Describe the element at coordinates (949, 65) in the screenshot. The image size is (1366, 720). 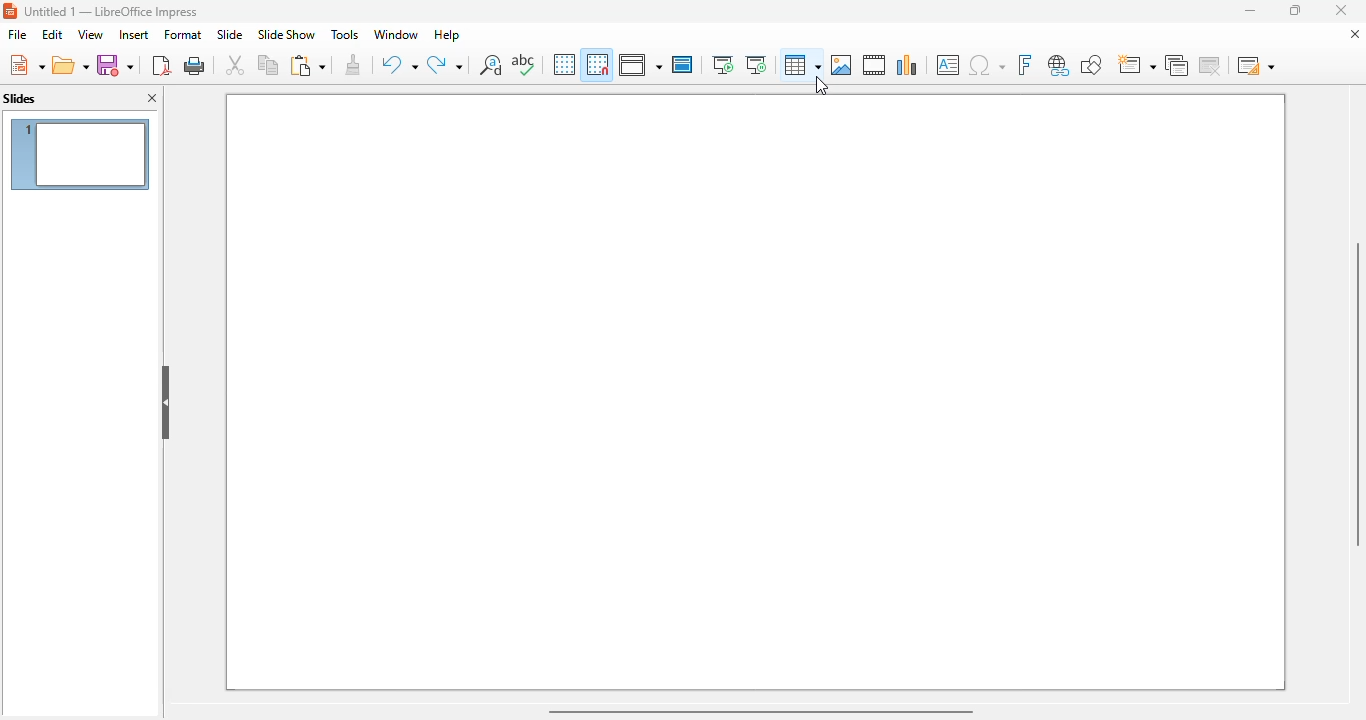
I see `insert text box` at that location.